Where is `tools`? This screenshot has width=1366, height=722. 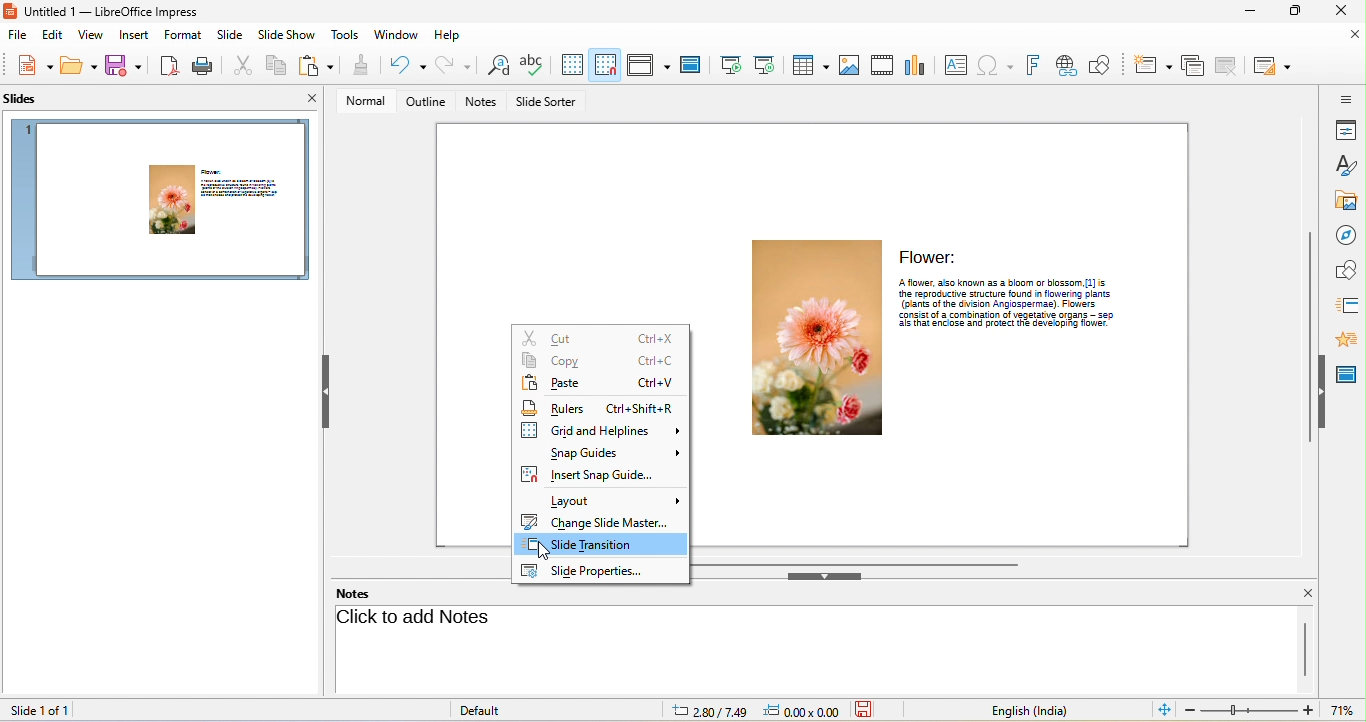 tools is located at coordinates (344, 34).